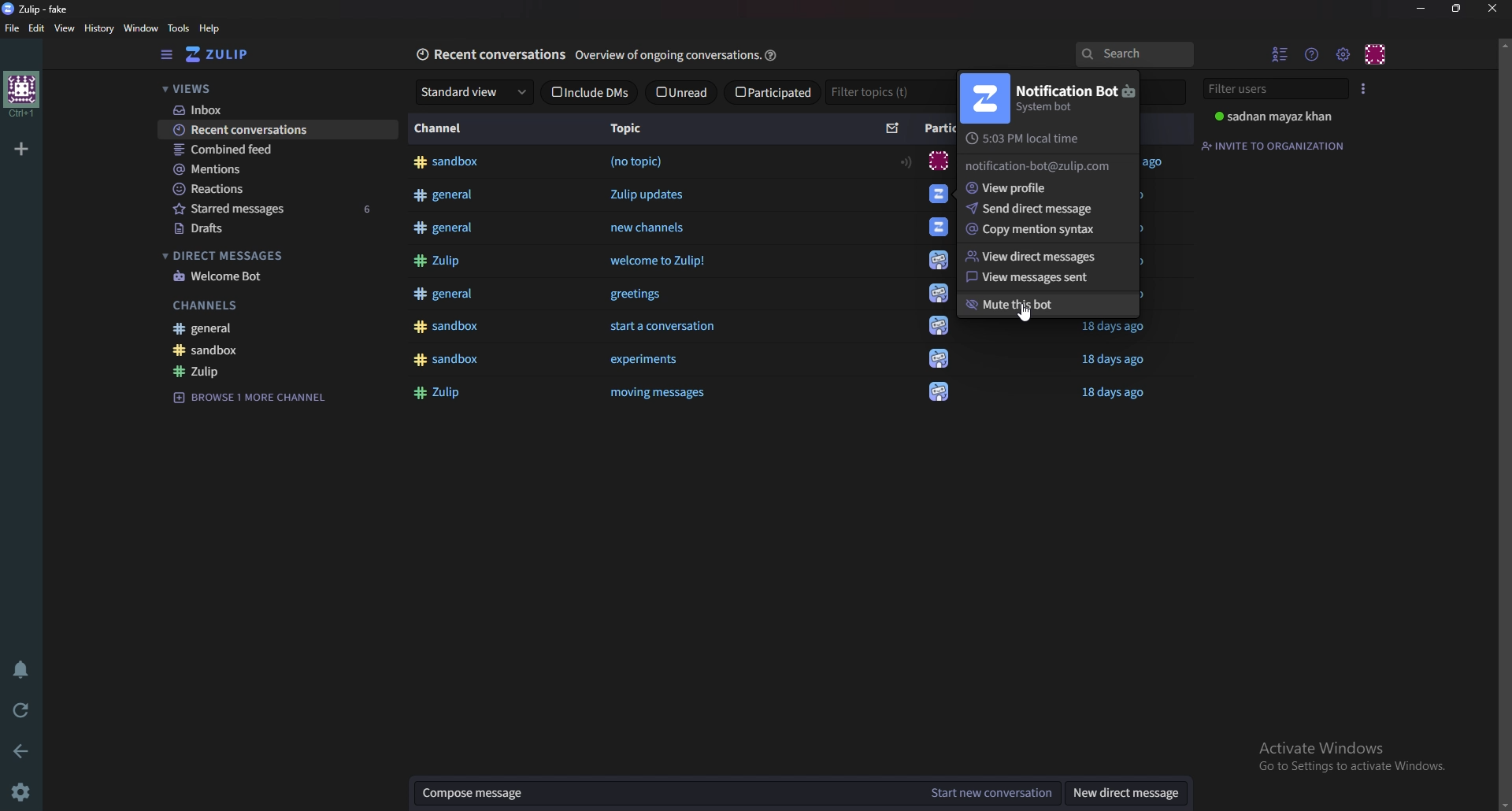 The height and width of the screenshot is (811, 1512). I want to click on icon, so click(936, 229).